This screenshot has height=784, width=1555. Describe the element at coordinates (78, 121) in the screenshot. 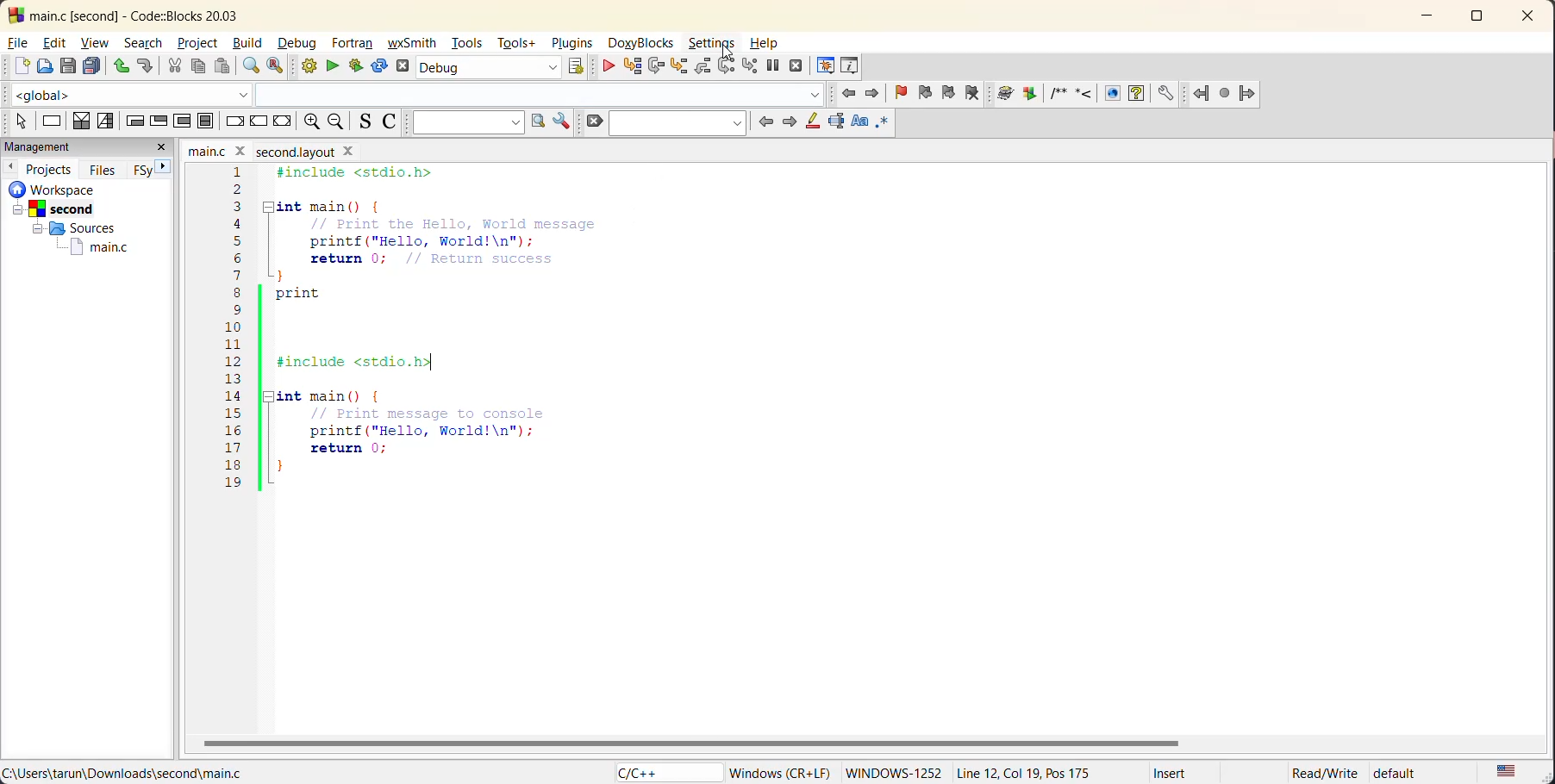

I see `decision` at that location.